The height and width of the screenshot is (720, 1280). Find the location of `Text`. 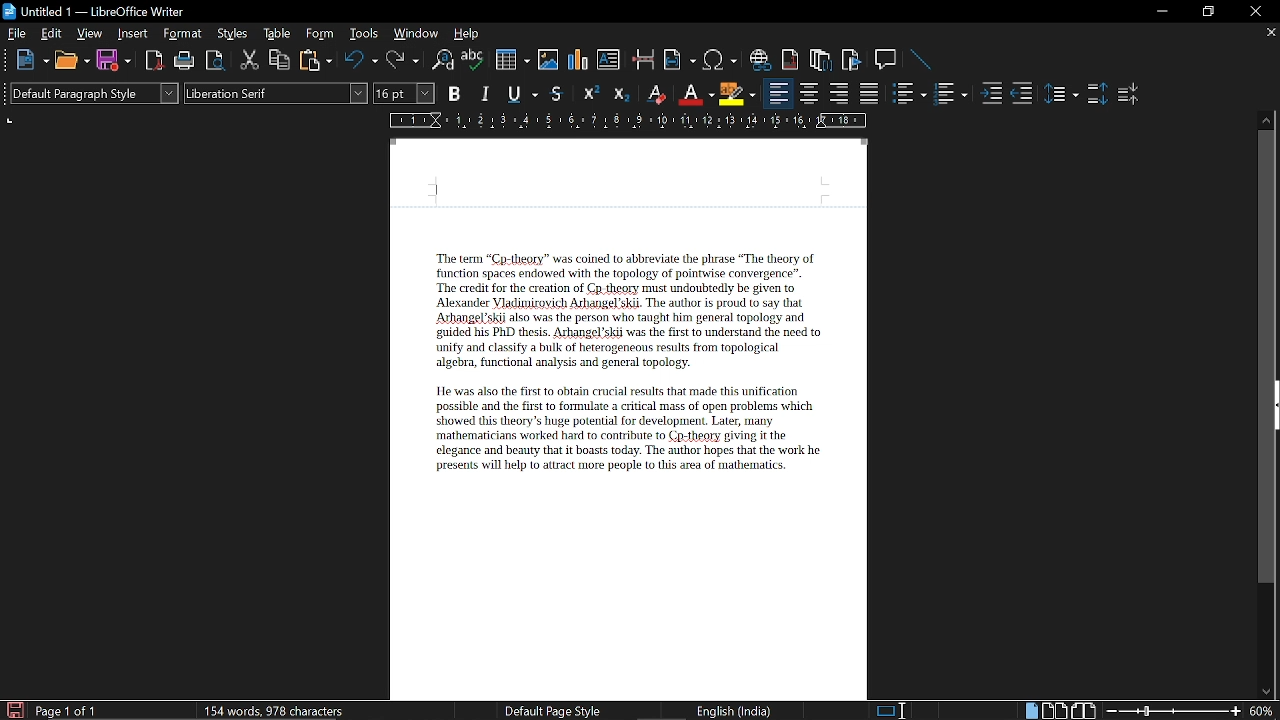

Text is located at coordinates (616, 364).